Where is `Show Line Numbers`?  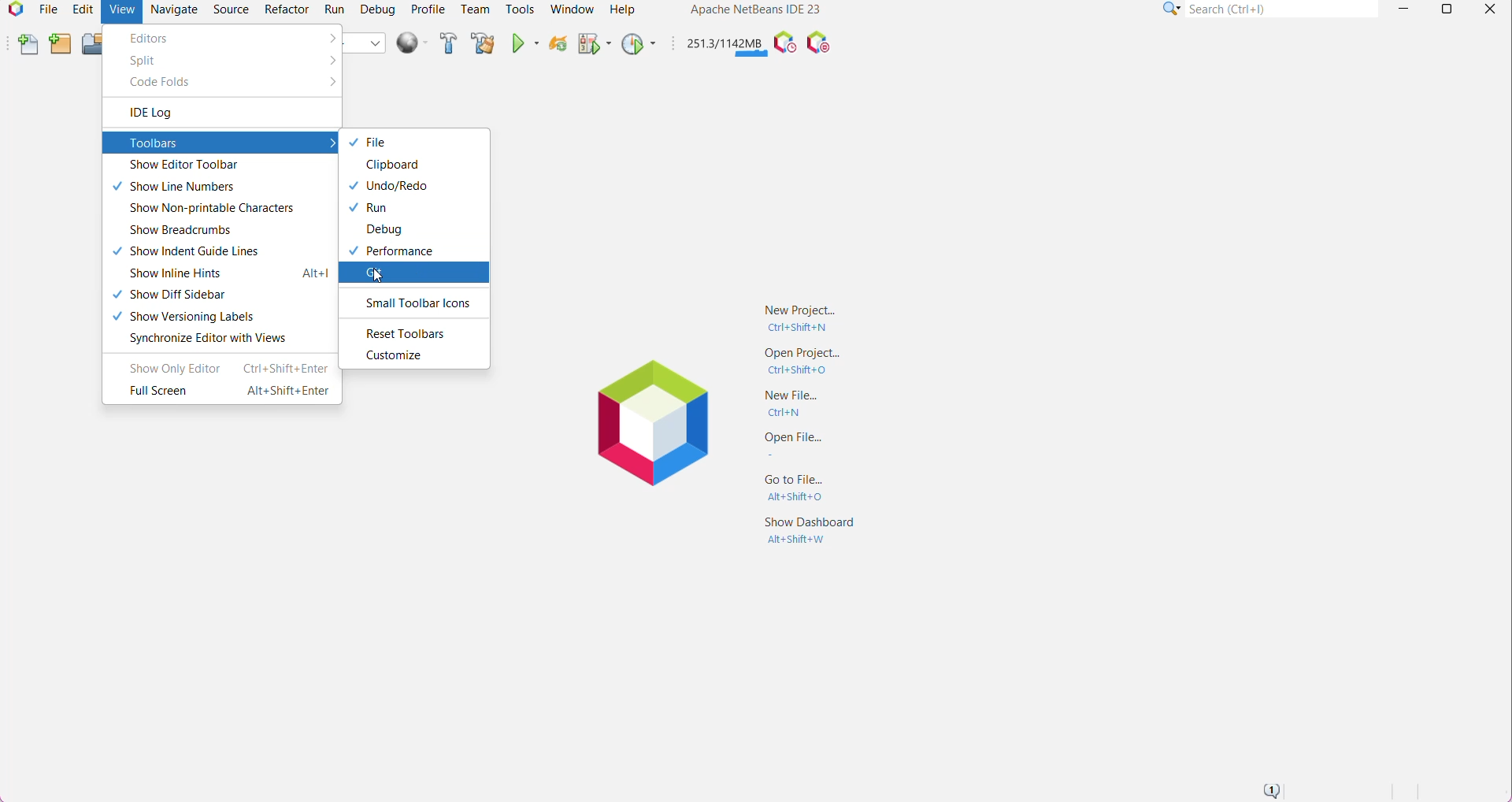
Show Line Numbers is located at coordinates (194, 188).